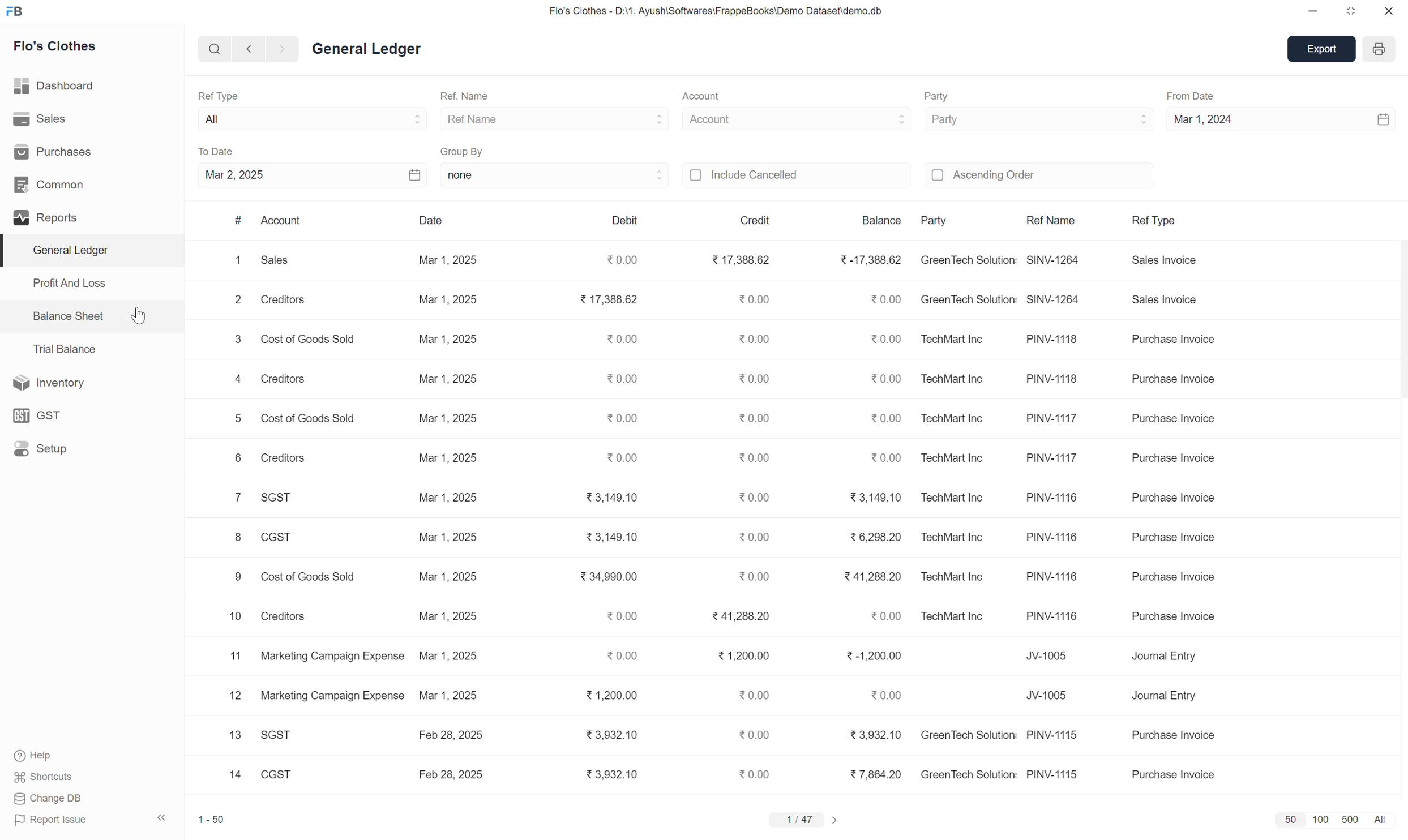 This screenshot has width=1408, height=840. I want to click on Creditors, so click(288, 458).